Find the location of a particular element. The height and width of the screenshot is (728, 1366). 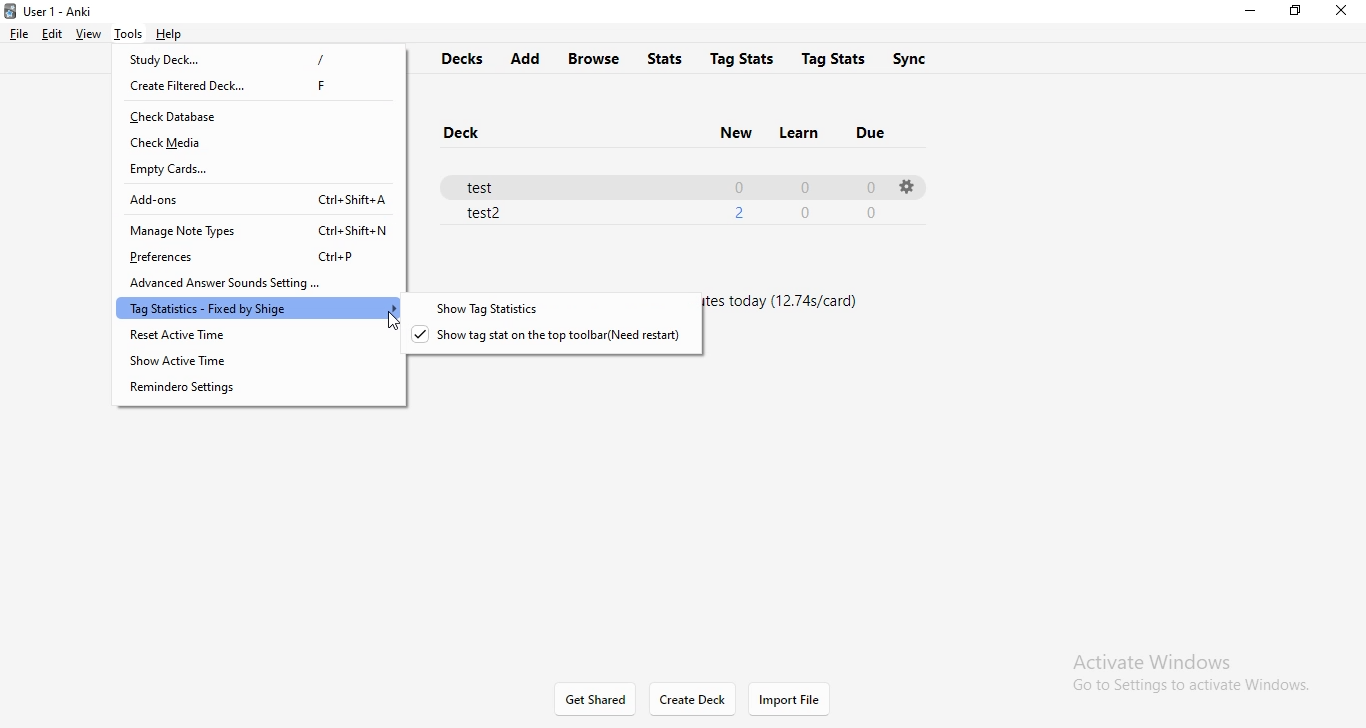

show active time is located at coordinates (261, 363).